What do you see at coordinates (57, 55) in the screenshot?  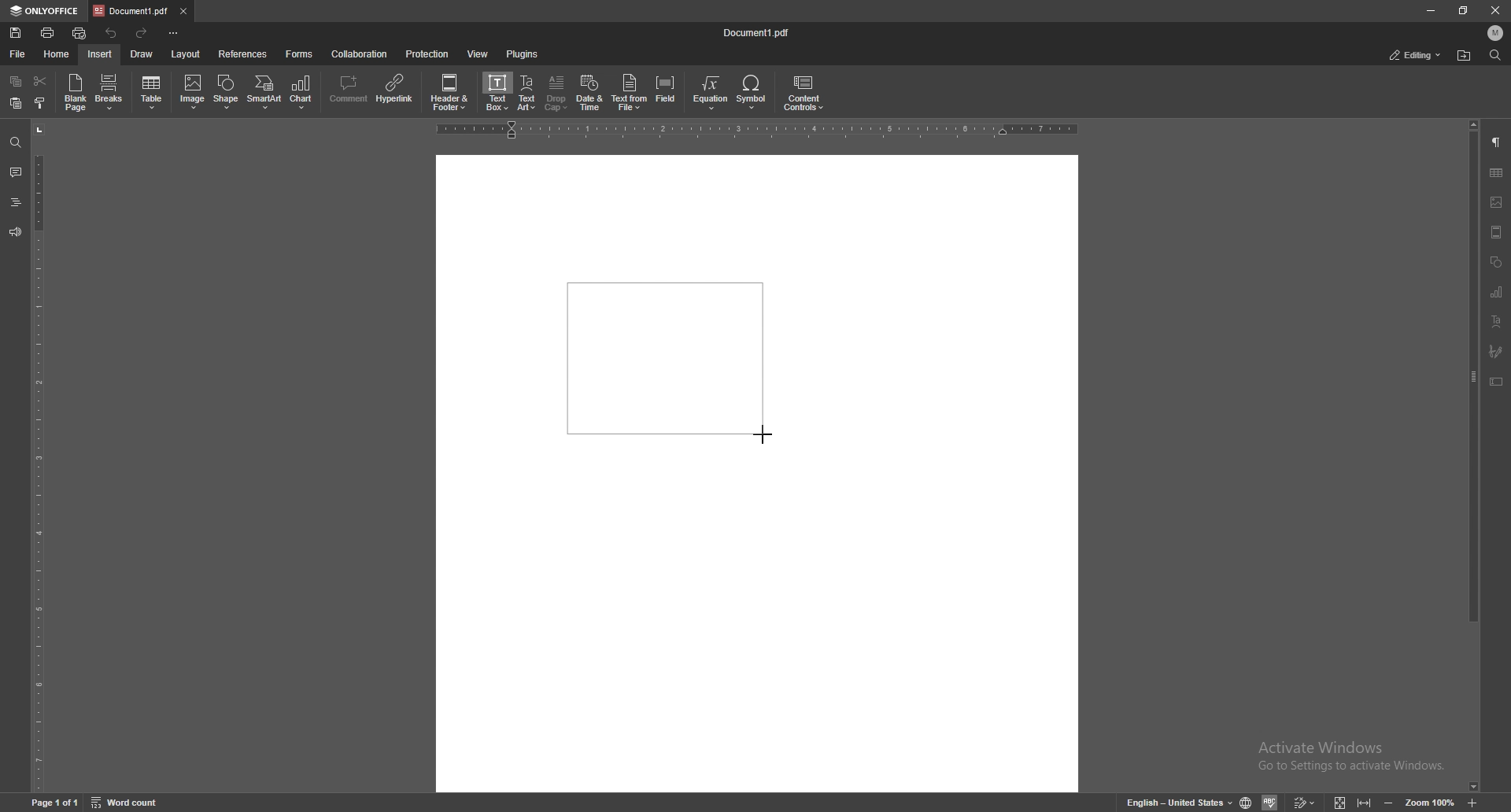 I see `home` at bounding box center [57, 55].